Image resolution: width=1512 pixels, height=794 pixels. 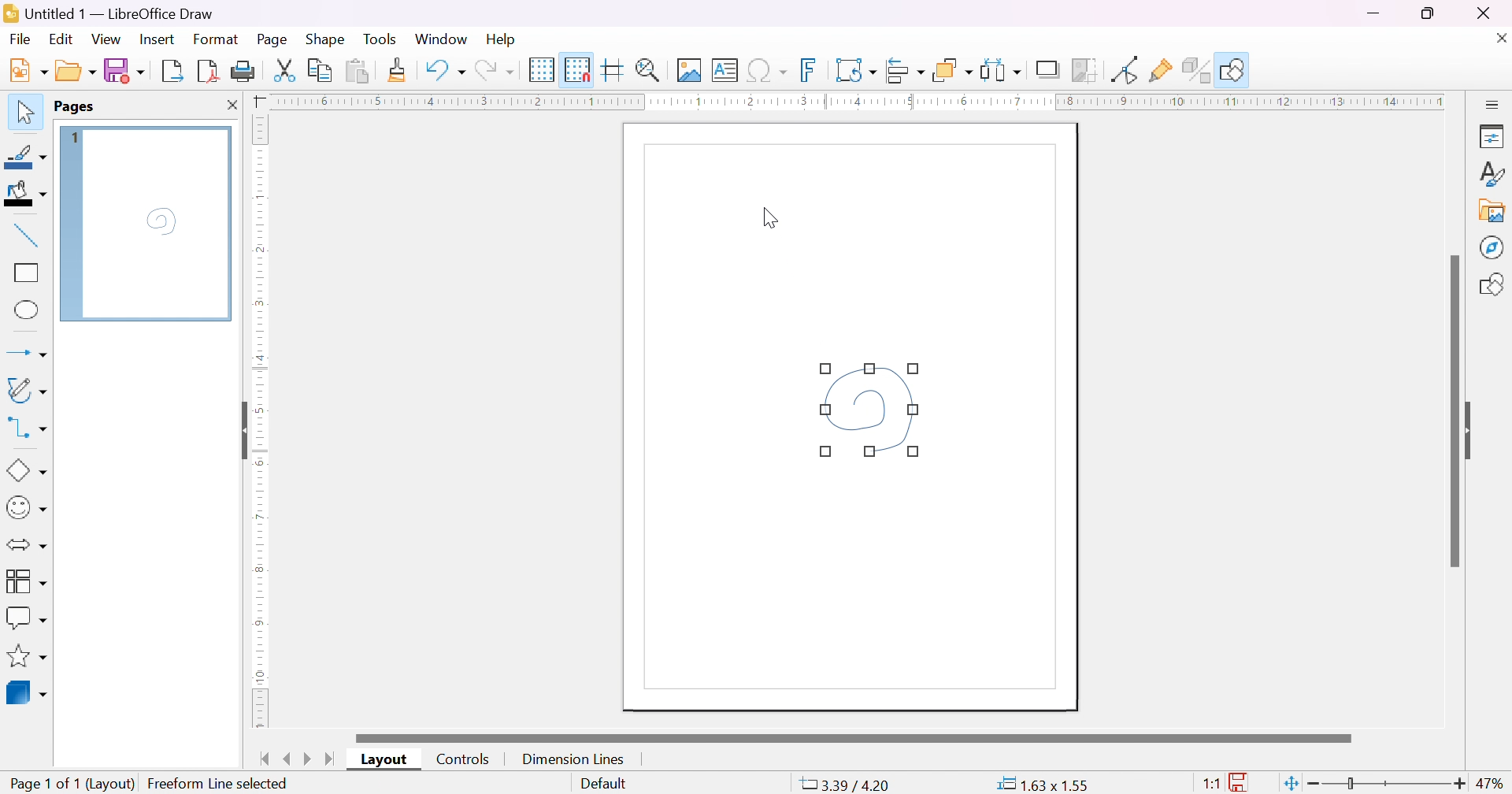 I want to click on clone formatting, so click(x=399, y=70).